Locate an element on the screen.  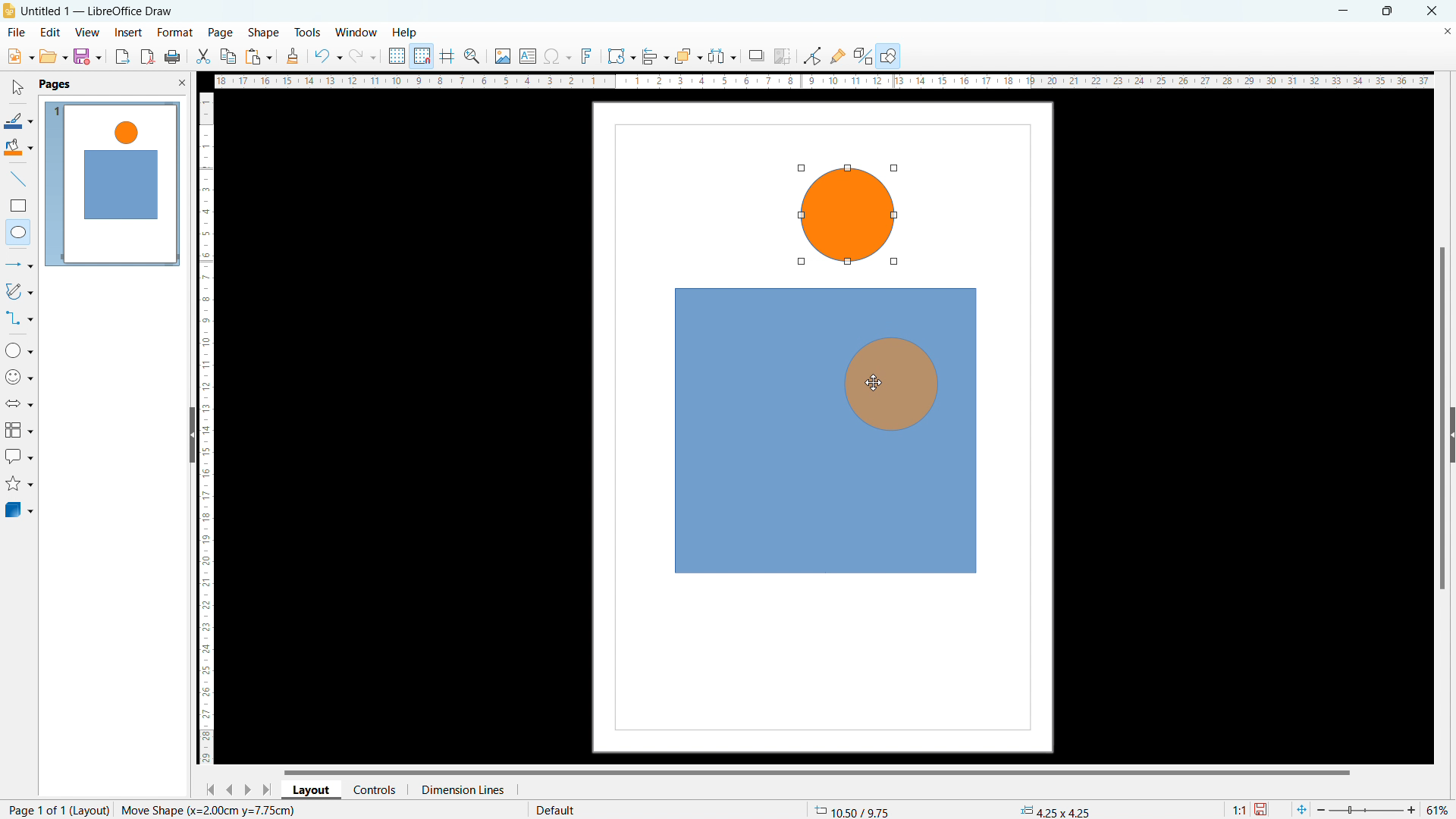
dimension changed is located at coordinates (1054, 810).